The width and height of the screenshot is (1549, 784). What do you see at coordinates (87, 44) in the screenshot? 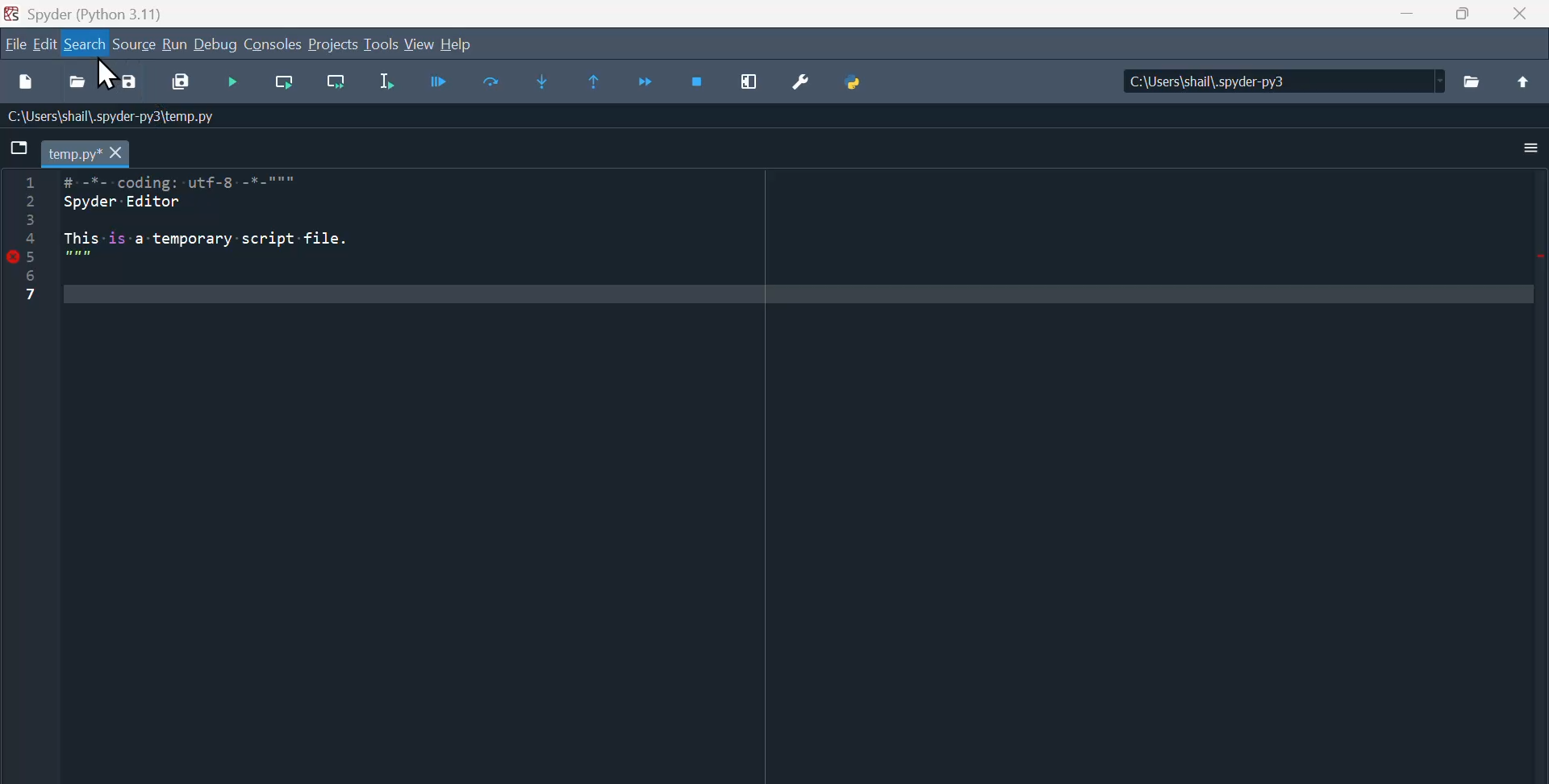
I see `Search` at bounding box center [87, 44].